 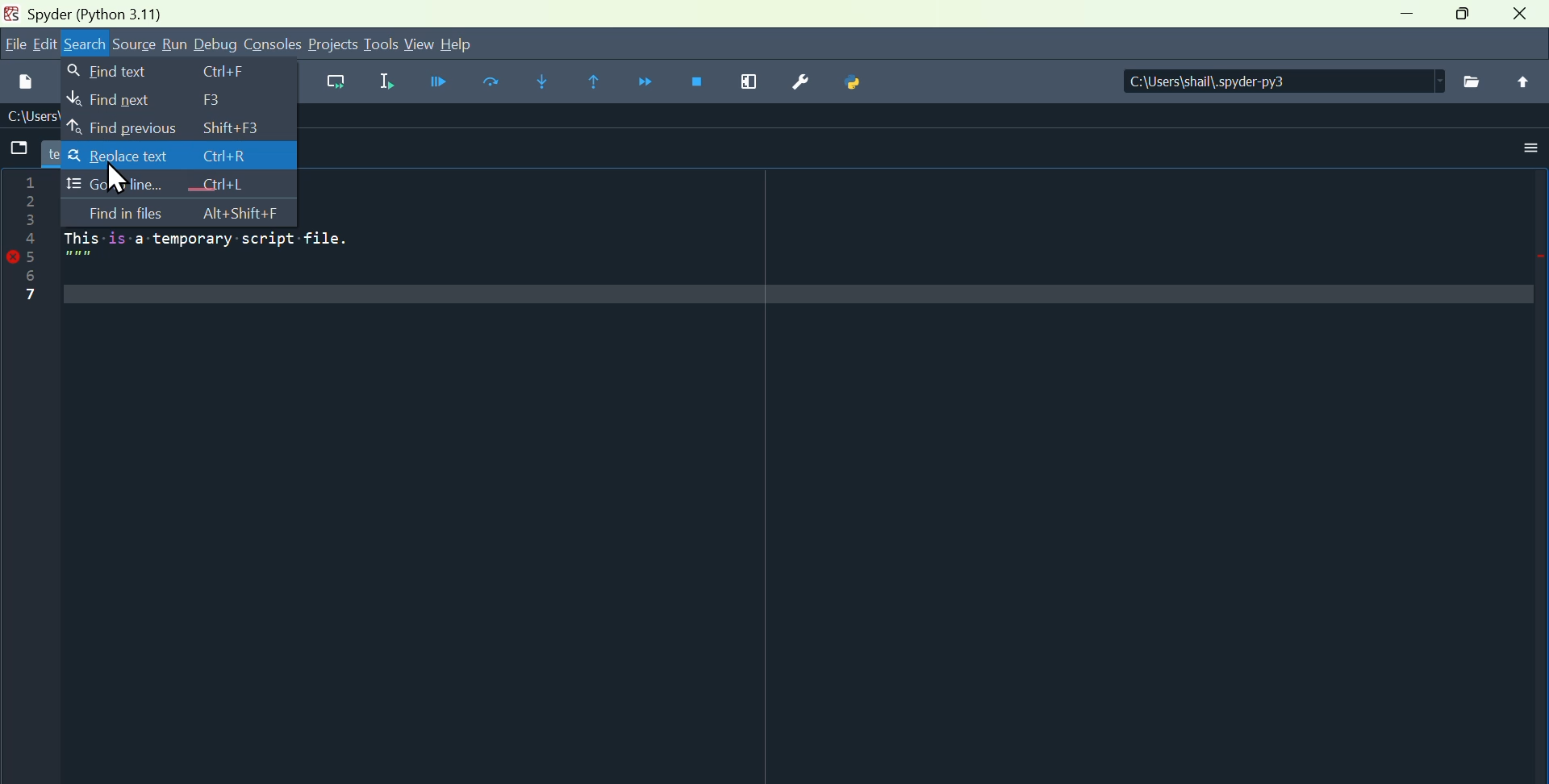 What do you see at coordinates (175, 211) in the screenshot?
I see `Find and files` at bounding box center [175, 211].